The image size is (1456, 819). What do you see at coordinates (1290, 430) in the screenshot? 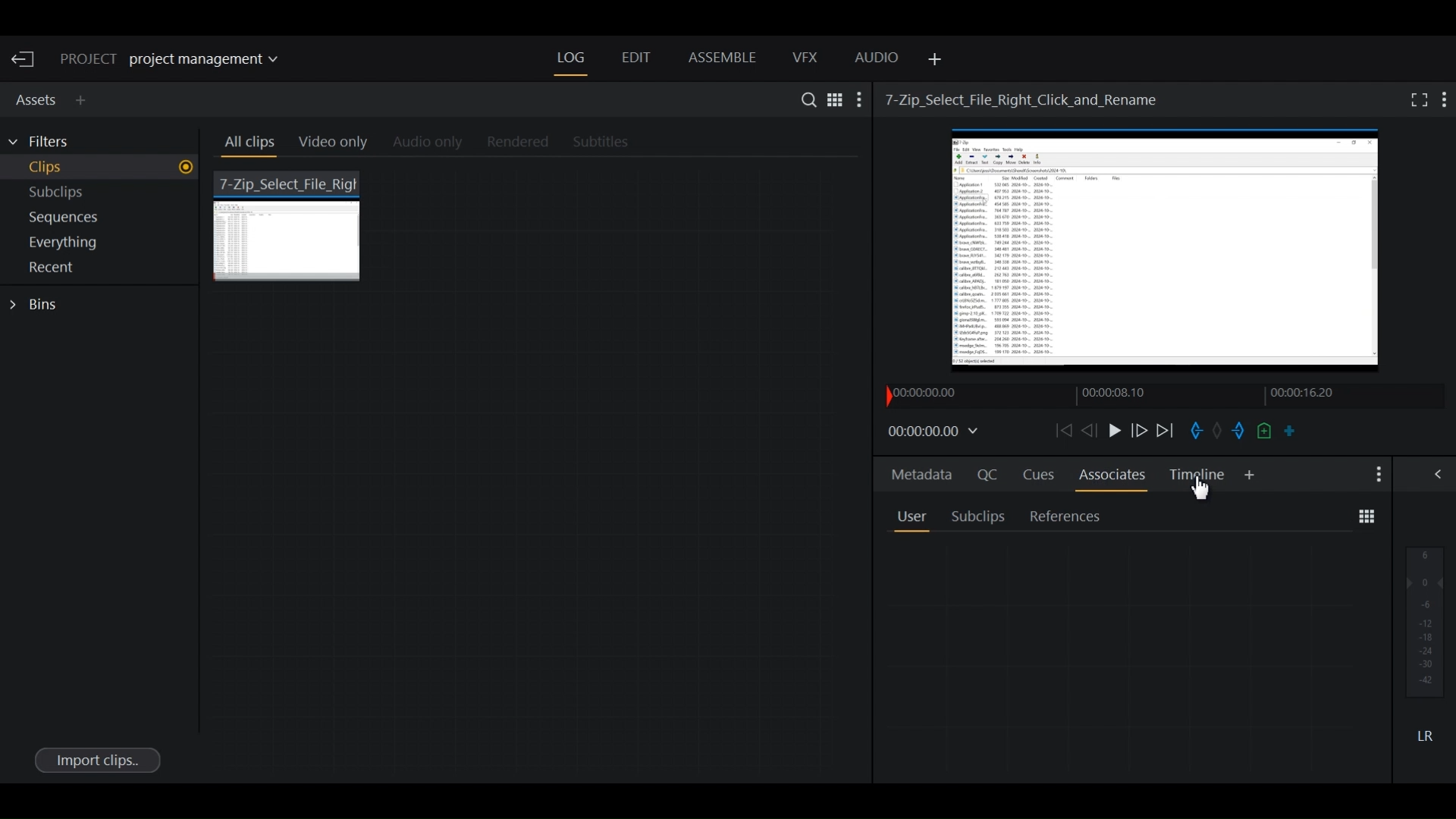
I see `Make a subclip from the marked section` at bounding box center [1290, 430].